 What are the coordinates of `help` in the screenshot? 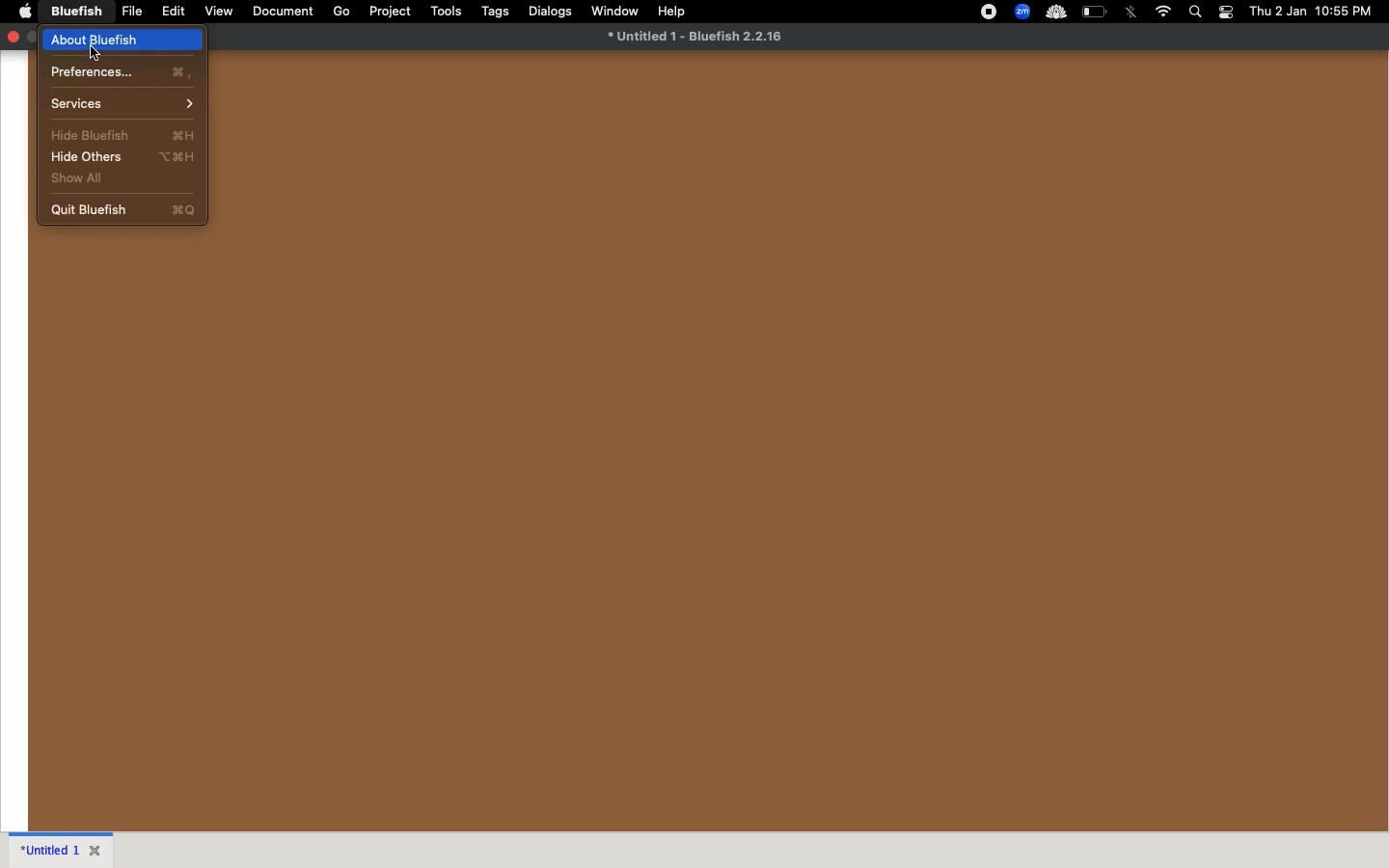 It's located at (672, 11).